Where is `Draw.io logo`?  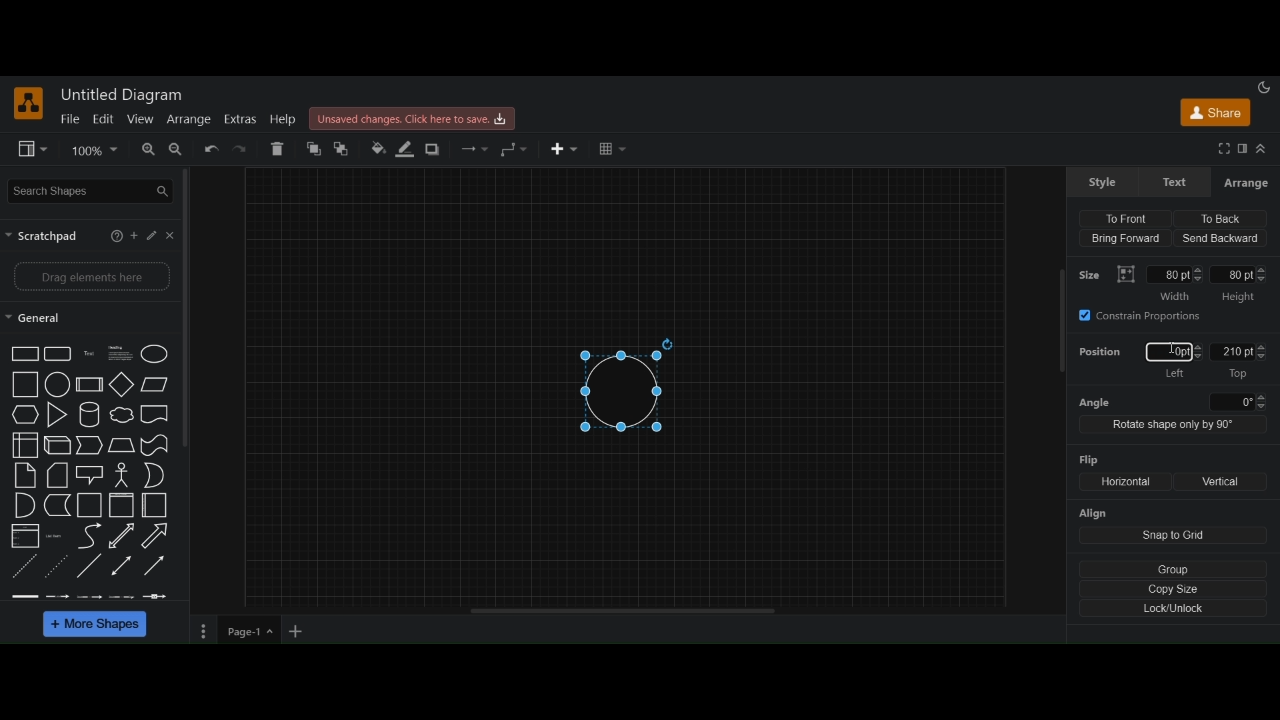 Draw.io logo is located at coordinates (29, 103).